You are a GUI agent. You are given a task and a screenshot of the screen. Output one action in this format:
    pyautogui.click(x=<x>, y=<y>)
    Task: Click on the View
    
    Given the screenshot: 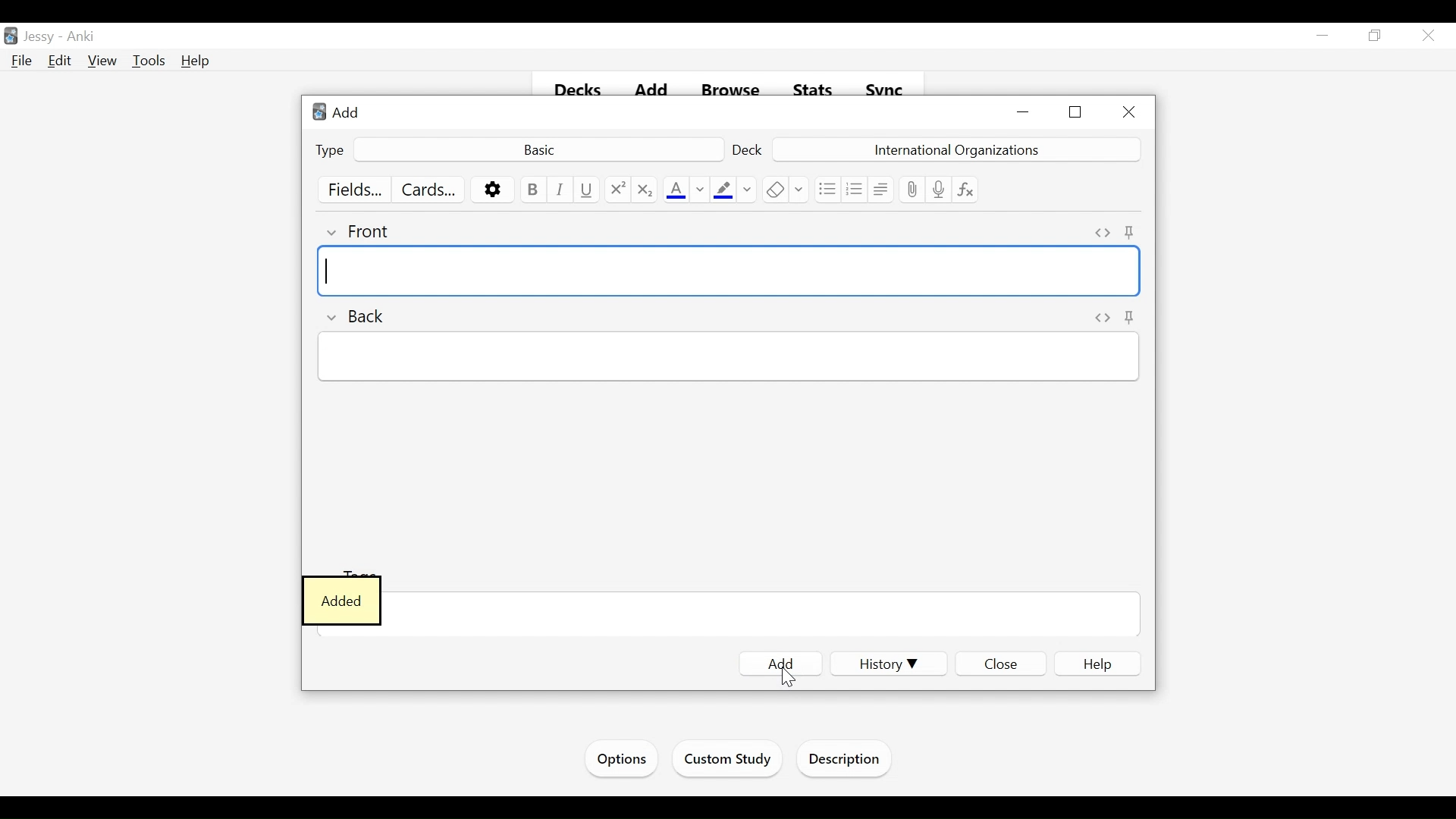 What is the action you would take?
    pyautogui.click(x=102, y=60)
    